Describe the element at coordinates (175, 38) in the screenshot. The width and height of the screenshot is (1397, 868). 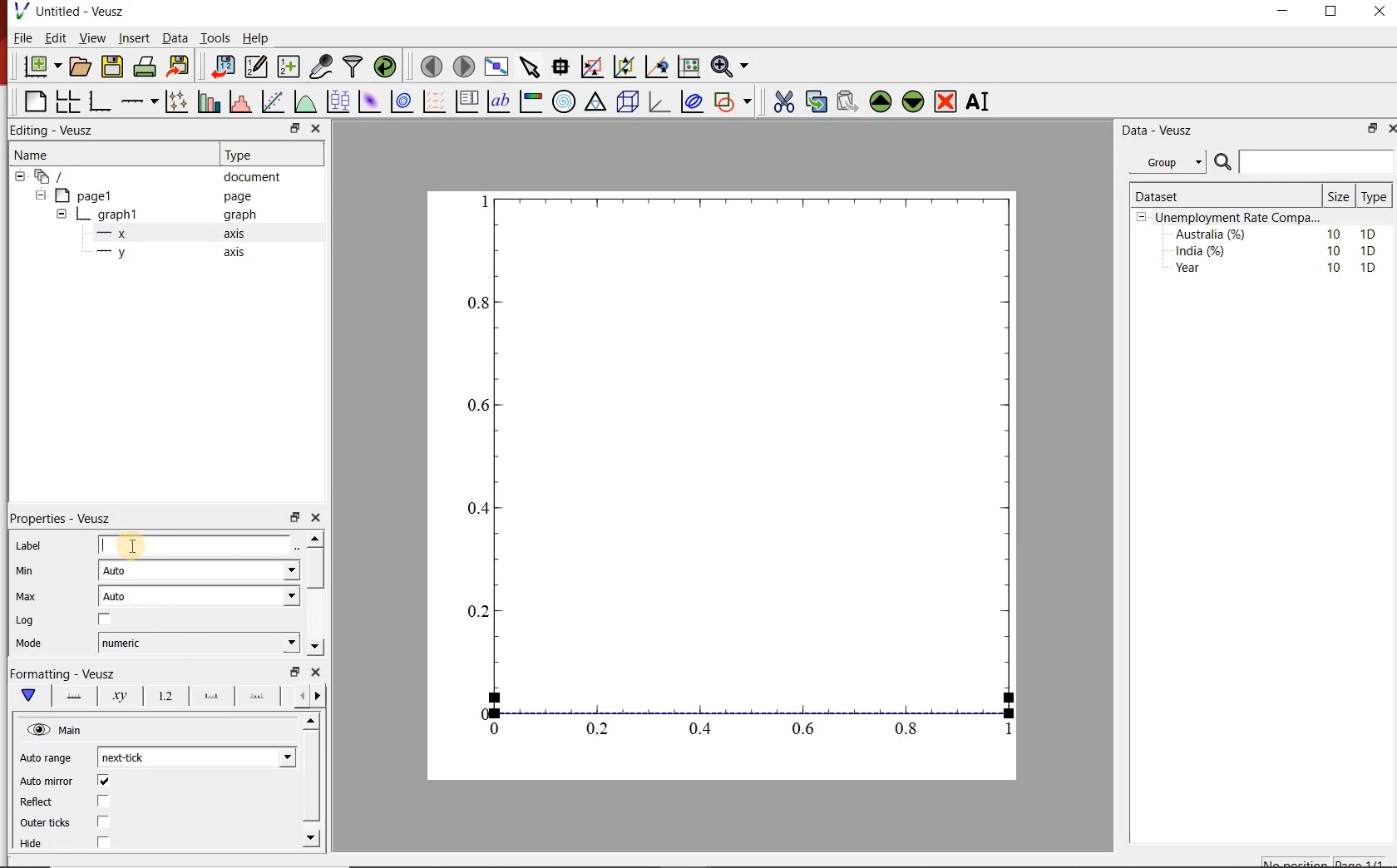
I see `Data` at that location.